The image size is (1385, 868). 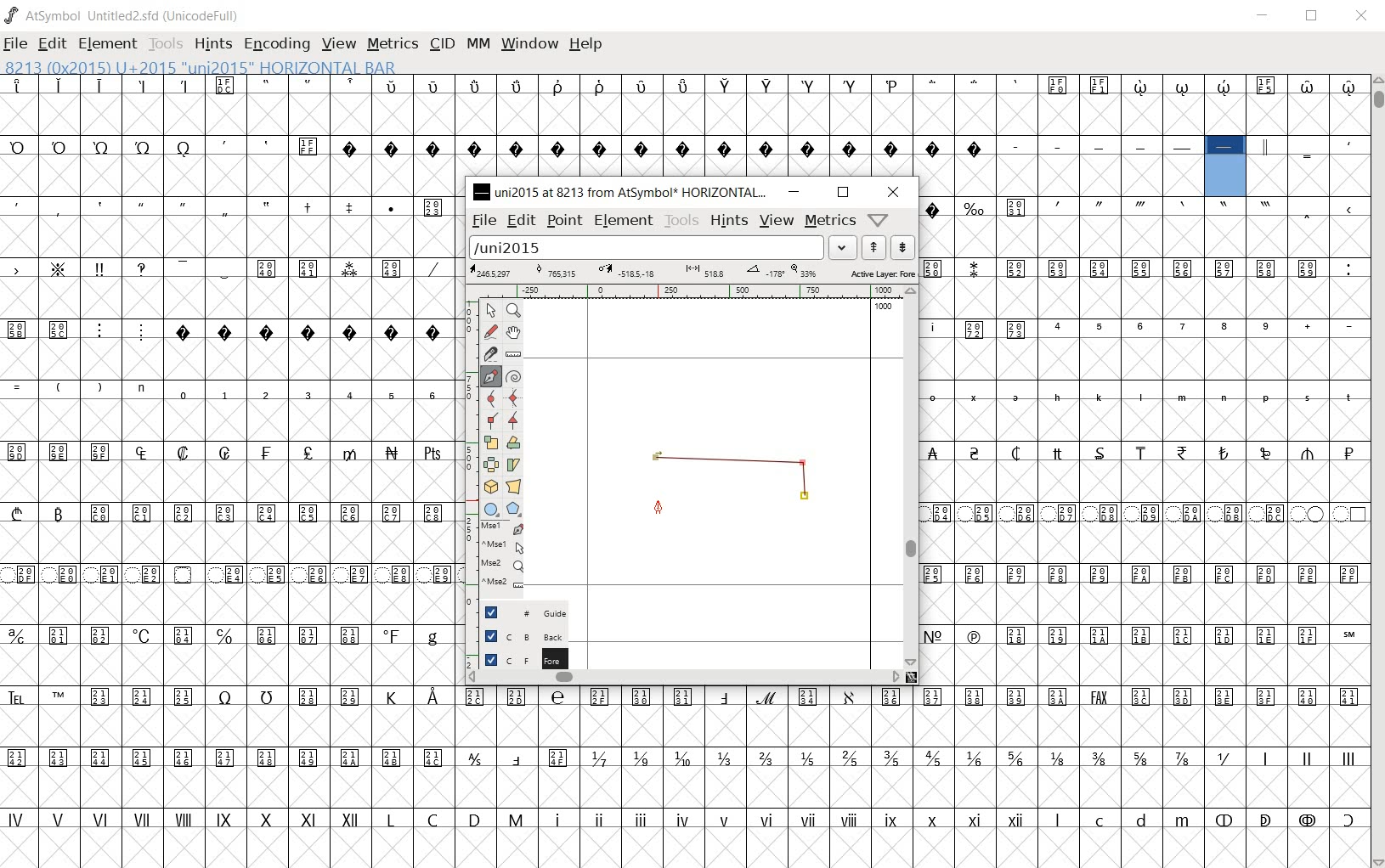 I want to click on POINTER, so click(x=492, y=312).